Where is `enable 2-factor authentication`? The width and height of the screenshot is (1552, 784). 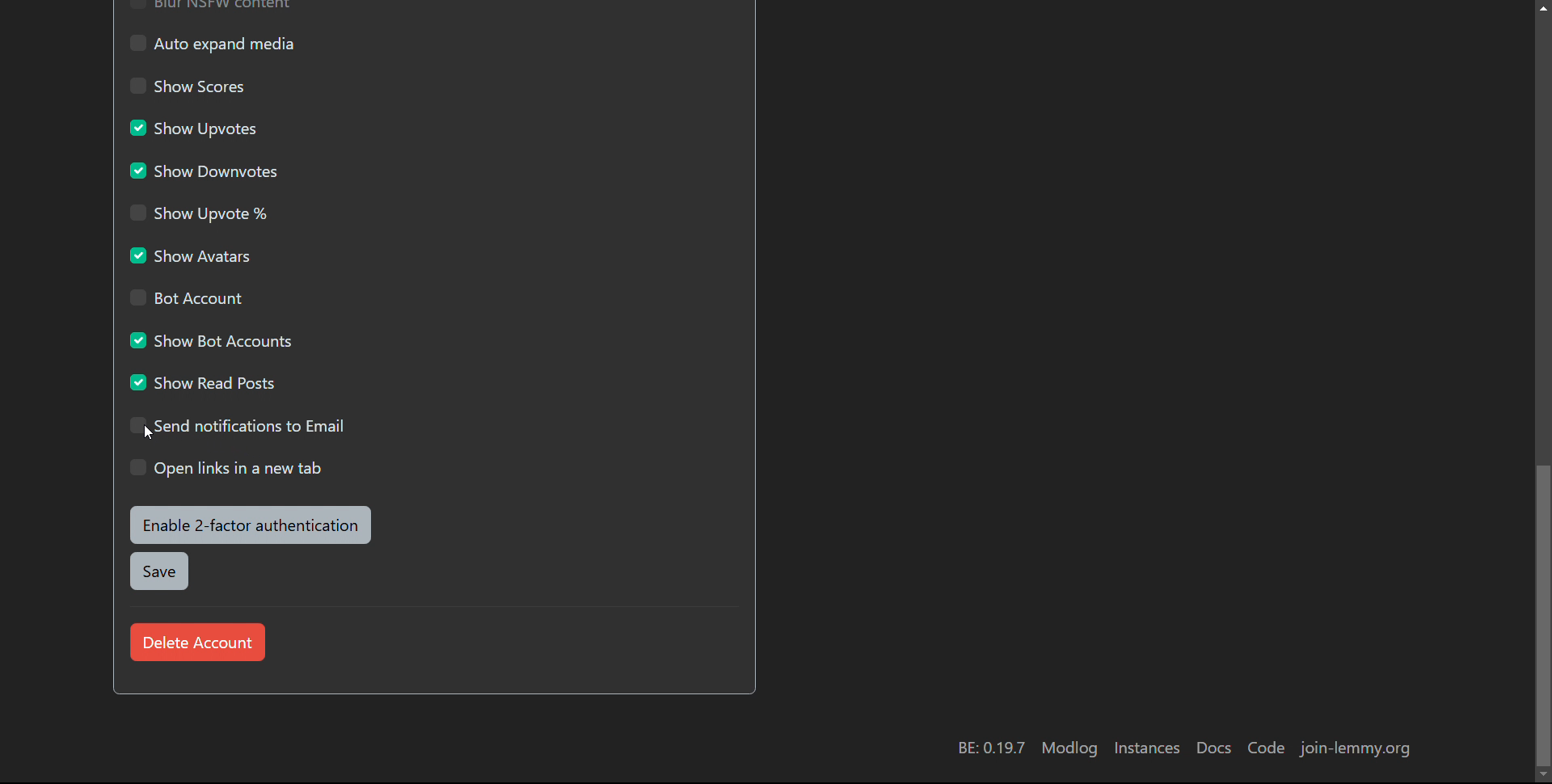 enable 2-factor authentication is located at coordinates (251, 525).